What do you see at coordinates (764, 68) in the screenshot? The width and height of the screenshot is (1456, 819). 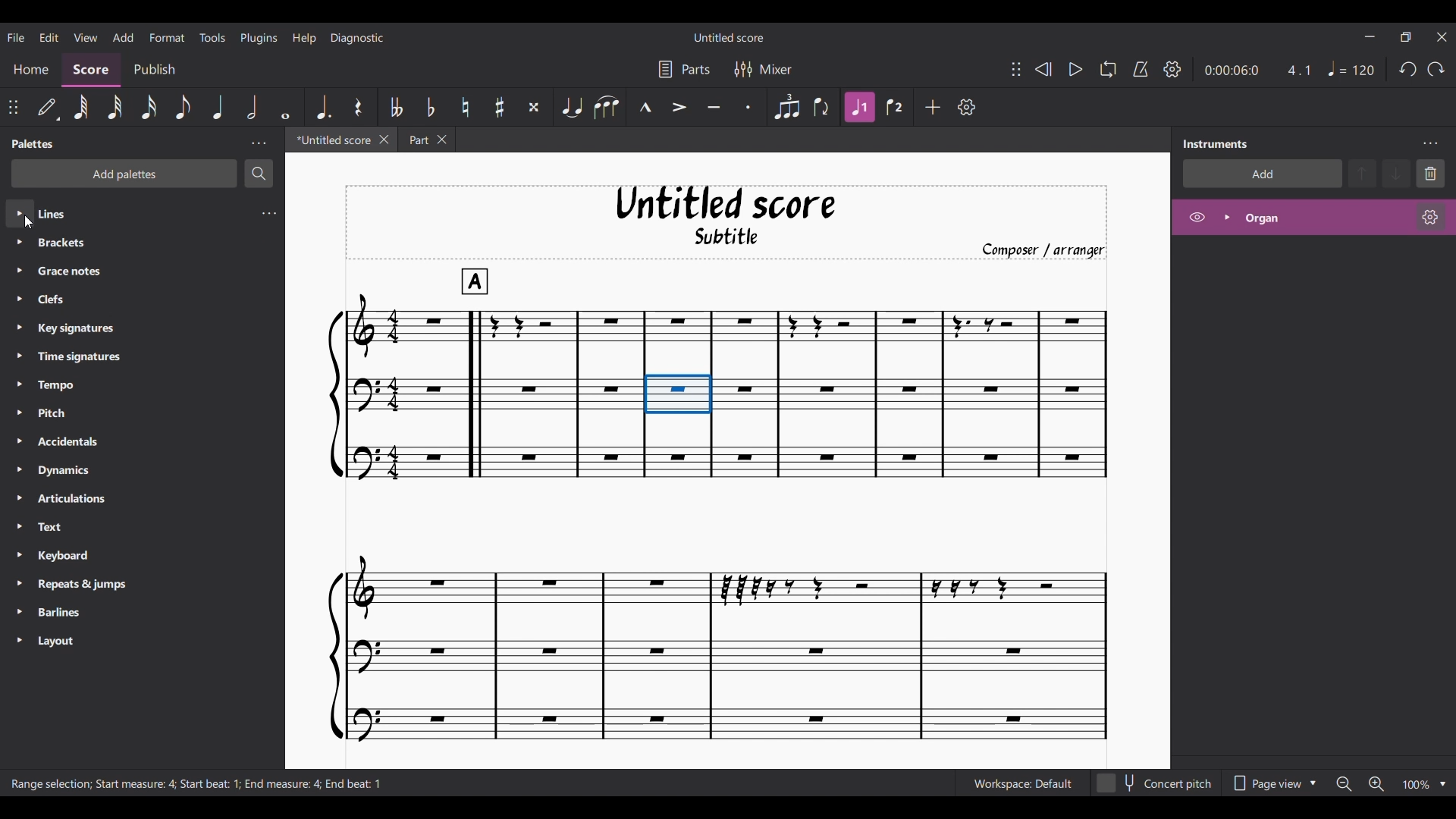 I see `Mixer settings` at bounding box center [764, 68].